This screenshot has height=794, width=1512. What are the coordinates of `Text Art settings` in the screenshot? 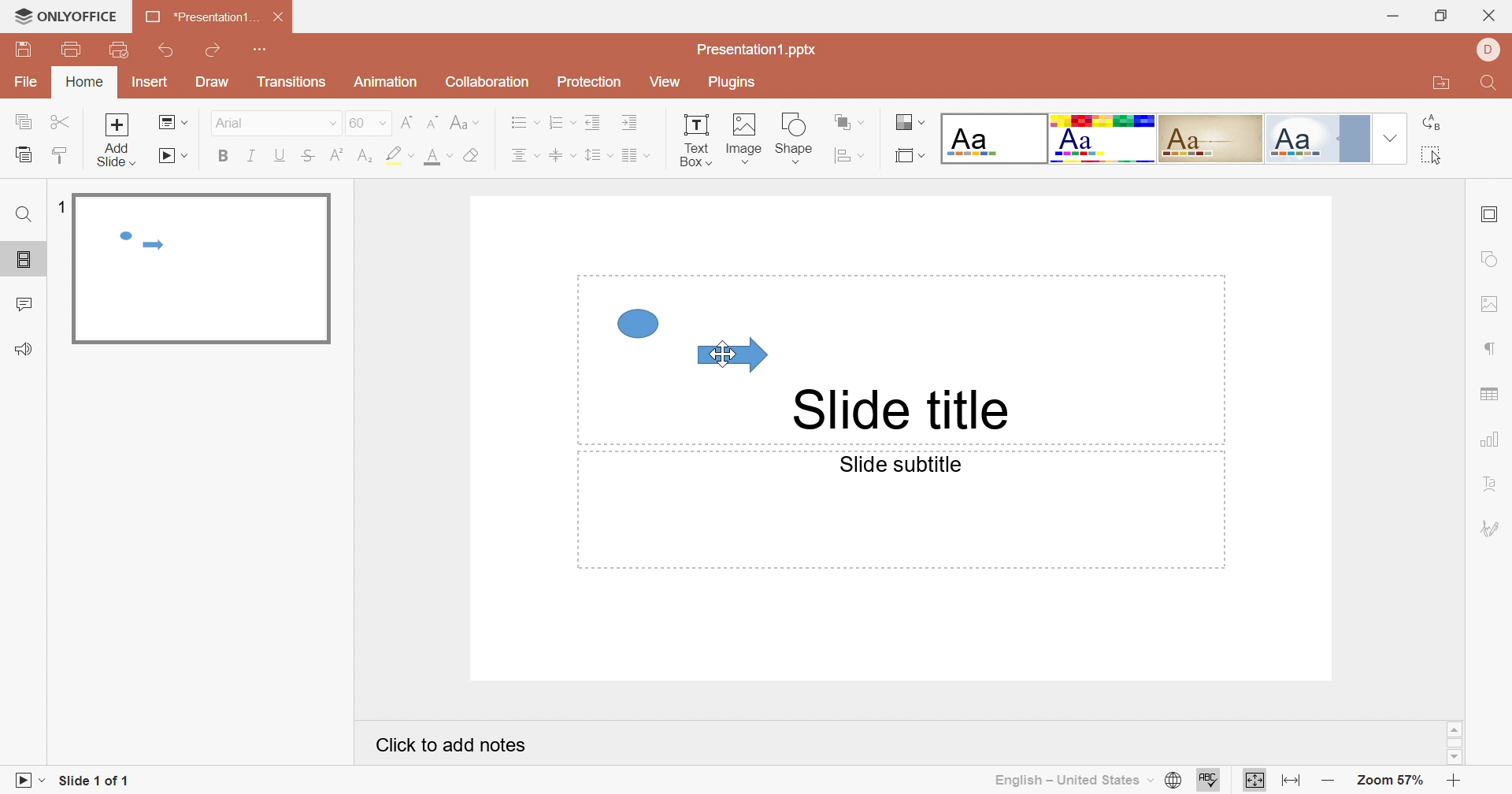 It's located at (1490, 481).